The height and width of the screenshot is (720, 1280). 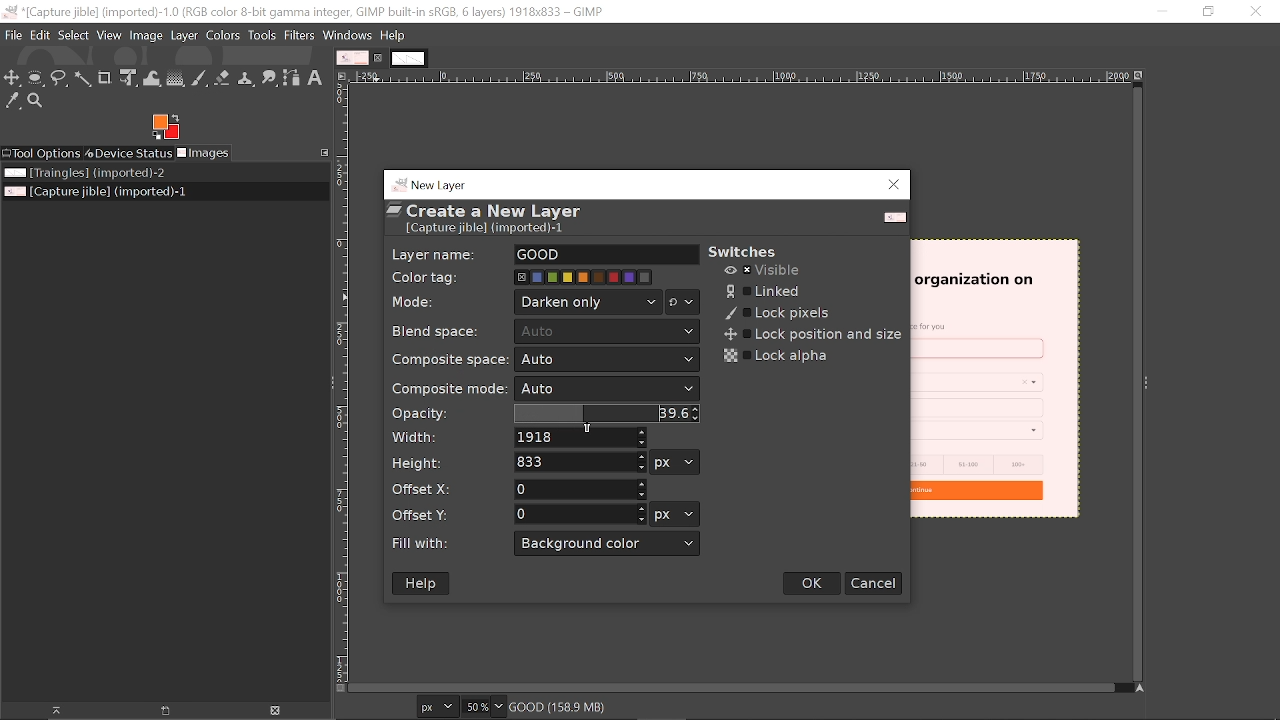 What do you see at coordinates (128, 78) in the screenshot?
I see `Unified transform tool` at bounding box center [128, 78].